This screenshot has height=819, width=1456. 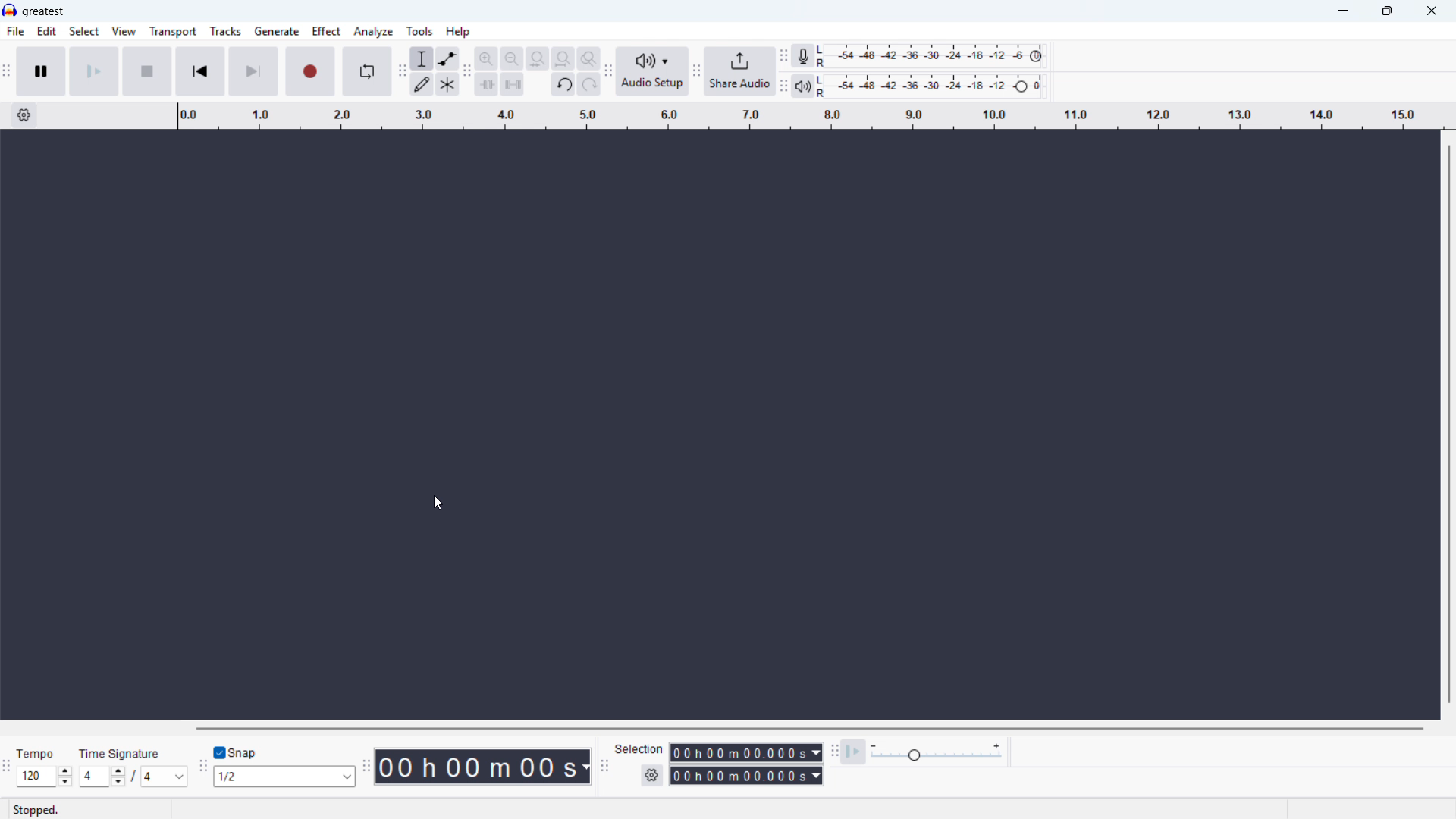 What do you see at coordinates (564, 58) in the screenshot?
I see `Fit project to width ` at bounding box center [564, 58].